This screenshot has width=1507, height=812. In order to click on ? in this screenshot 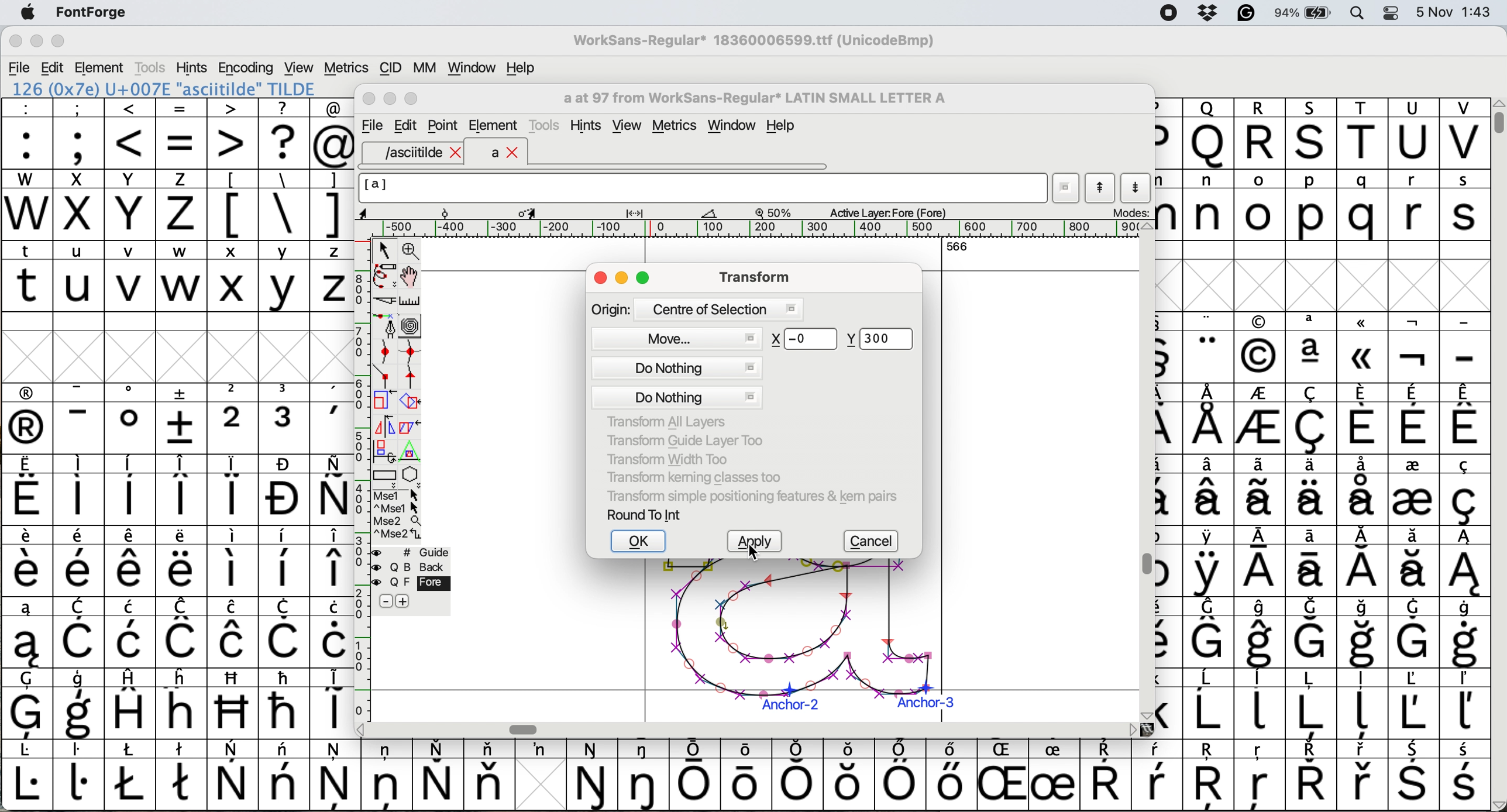, I will do `click(284, 133)`.